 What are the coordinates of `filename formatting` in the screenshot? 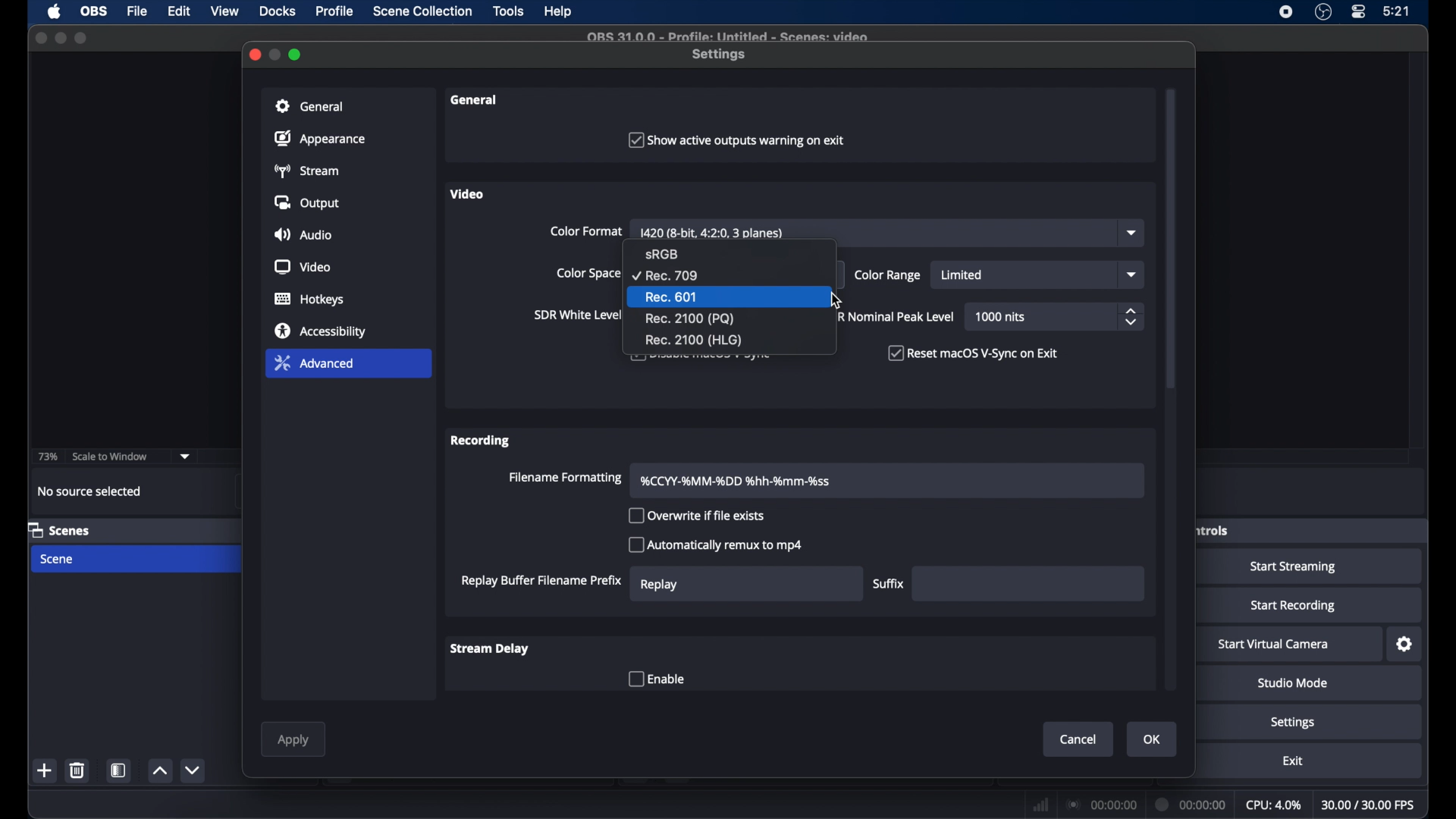 It's located at (566, 478).